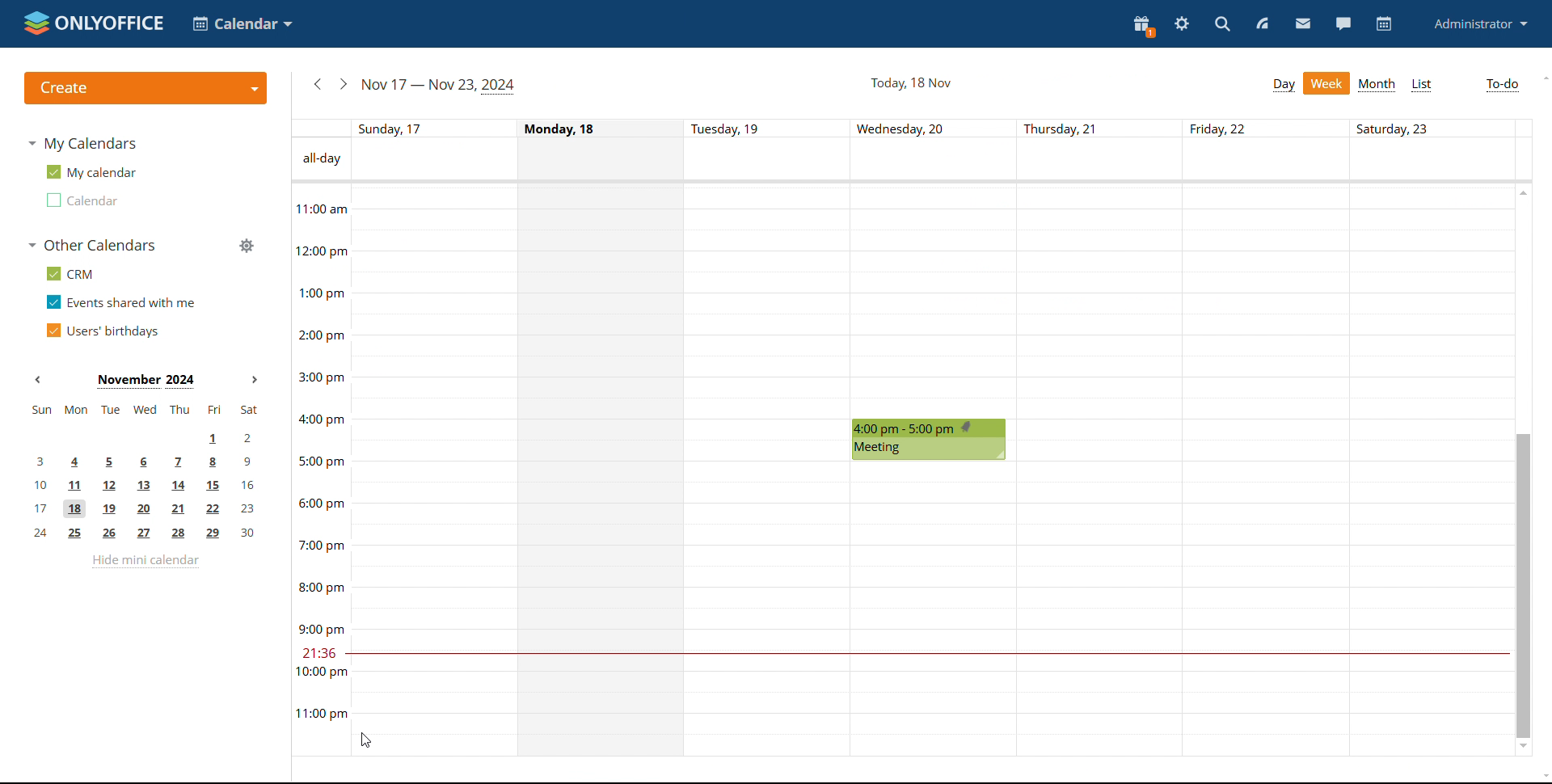 The image size is (1552, 784). Describe the element at coordinates (102, 331) in the screenshot. I see `users' birthdays ` at that location.